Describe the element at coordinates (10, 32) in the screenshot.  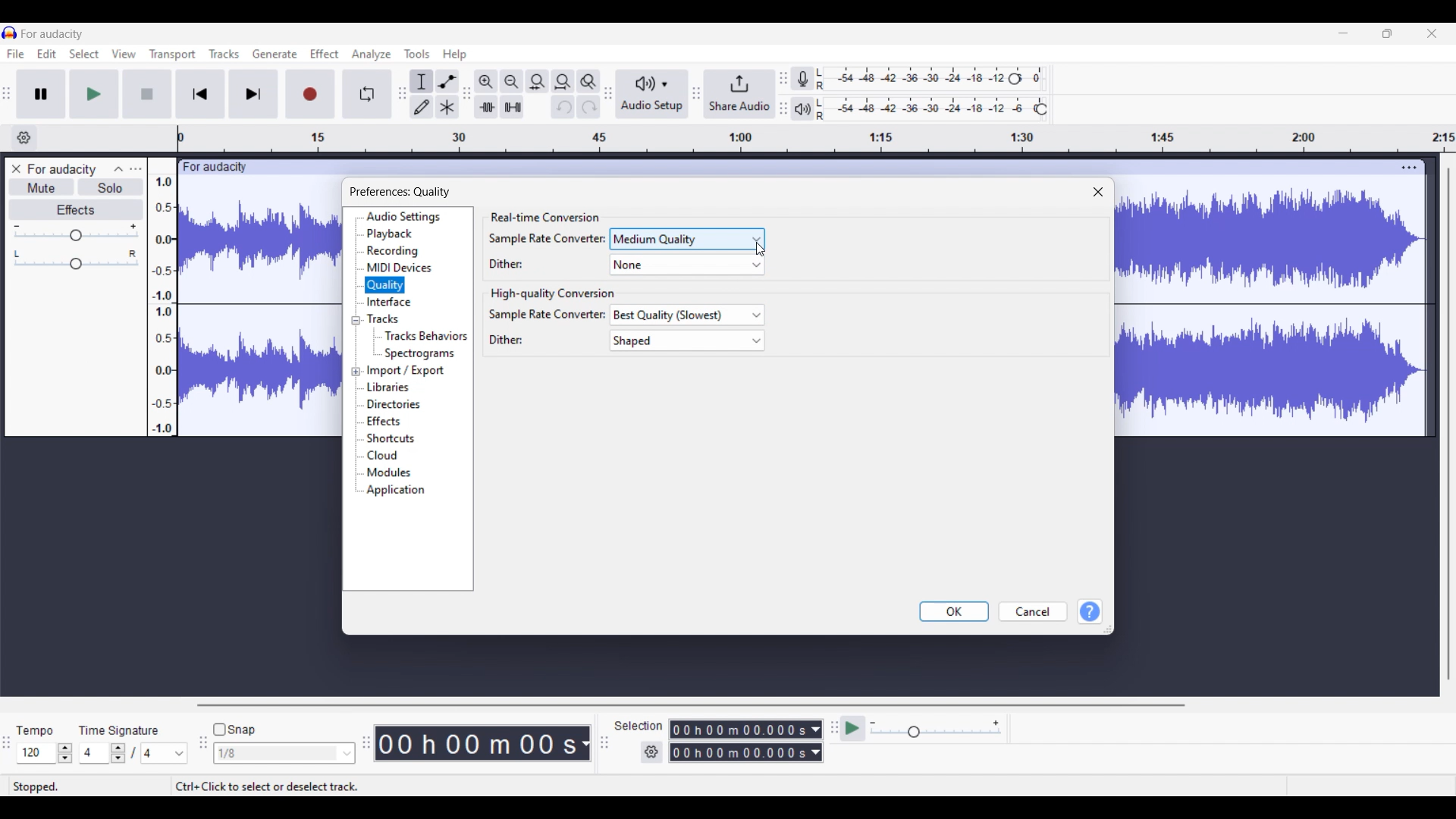
I see `Software logo` at that location.